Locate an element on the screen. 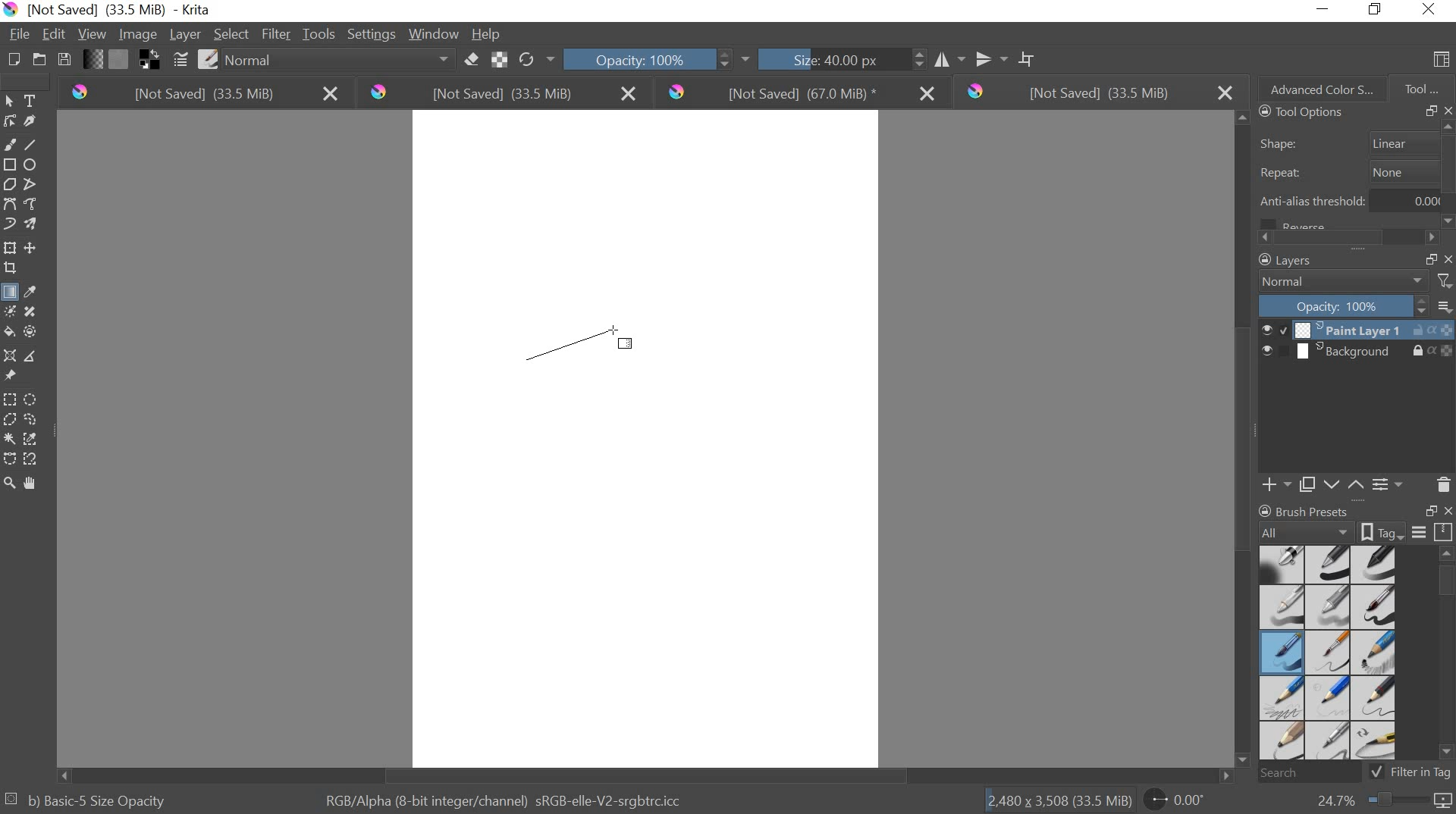  VERTICAL MIRROR TOOL is located at coordinates (981, 56).